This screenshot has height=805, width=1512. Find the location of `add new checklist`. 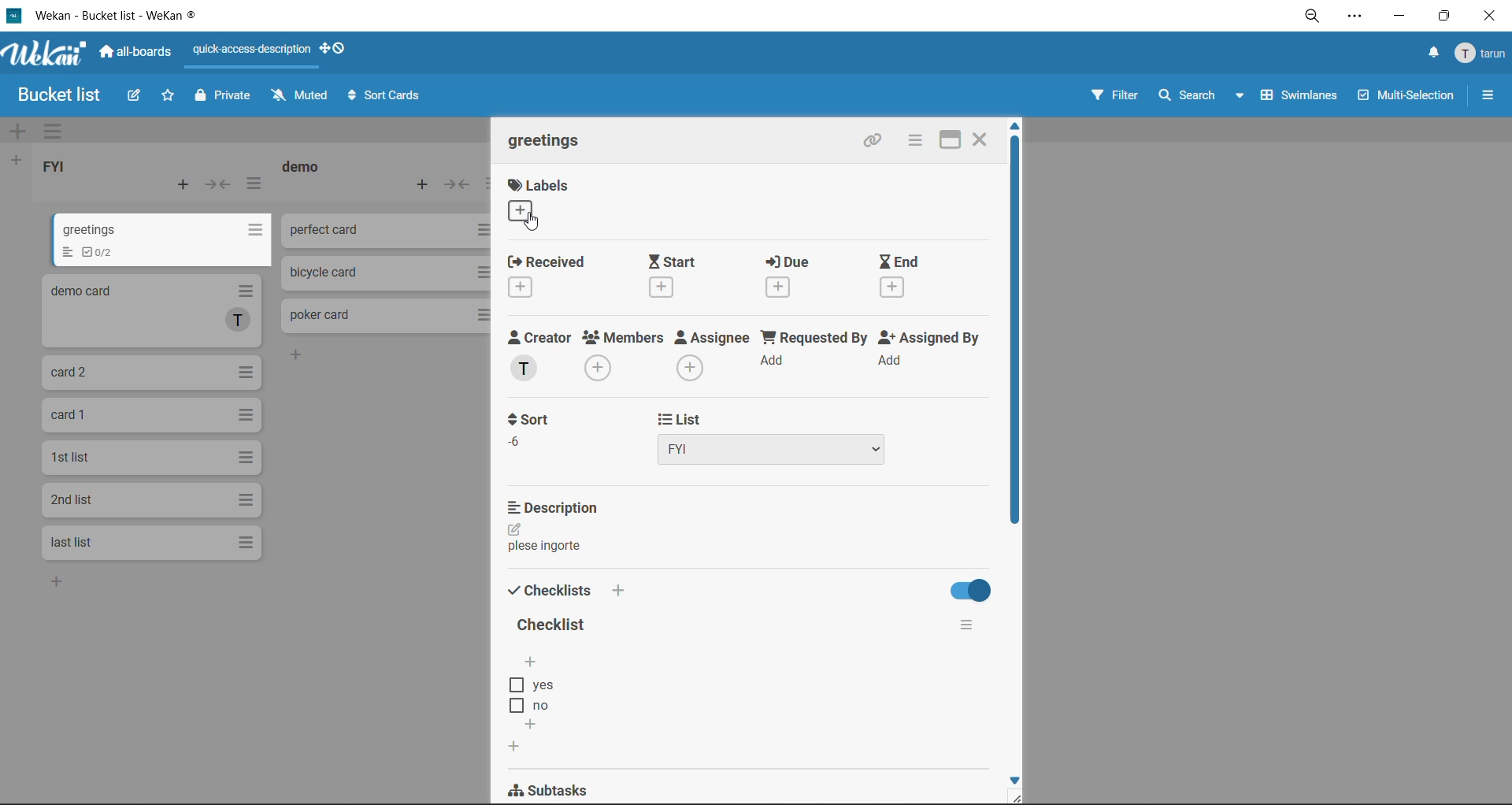

add new checklist is located at coordinates (513, 747).